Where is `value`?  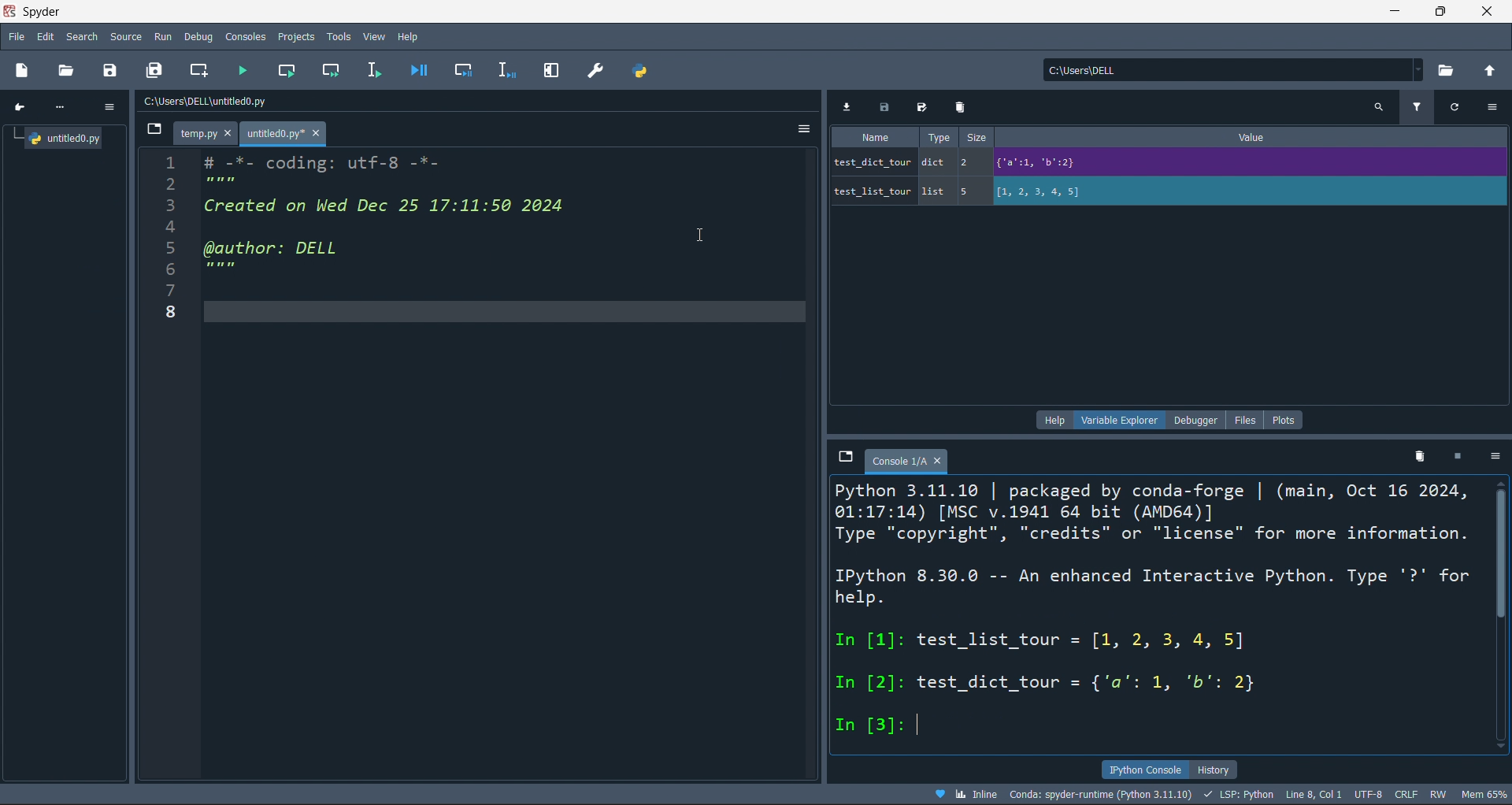 value is located at coordinates (1254, 137).